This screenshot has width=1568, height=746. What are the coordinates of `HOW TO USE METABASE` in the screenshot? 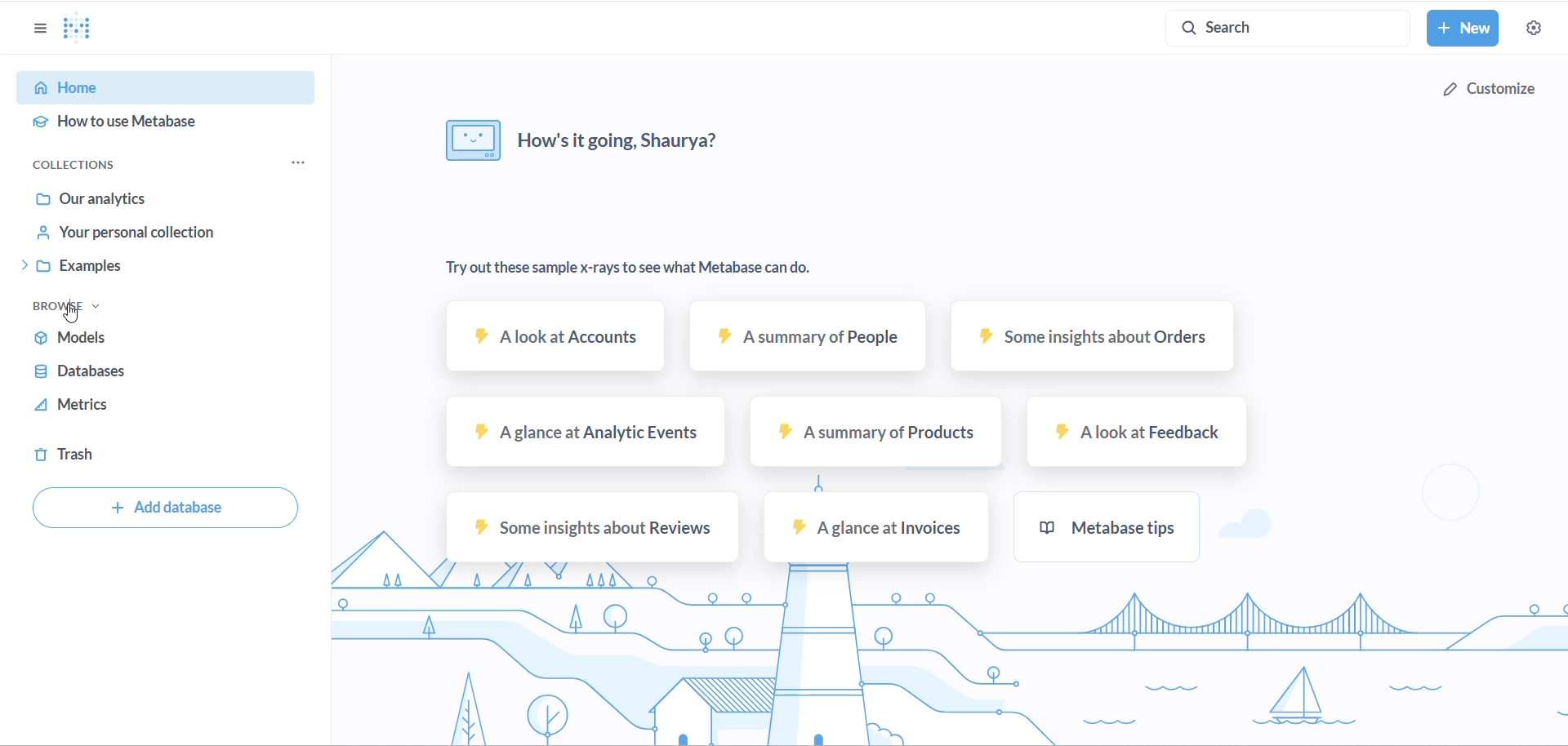 It's located at (150, 122).